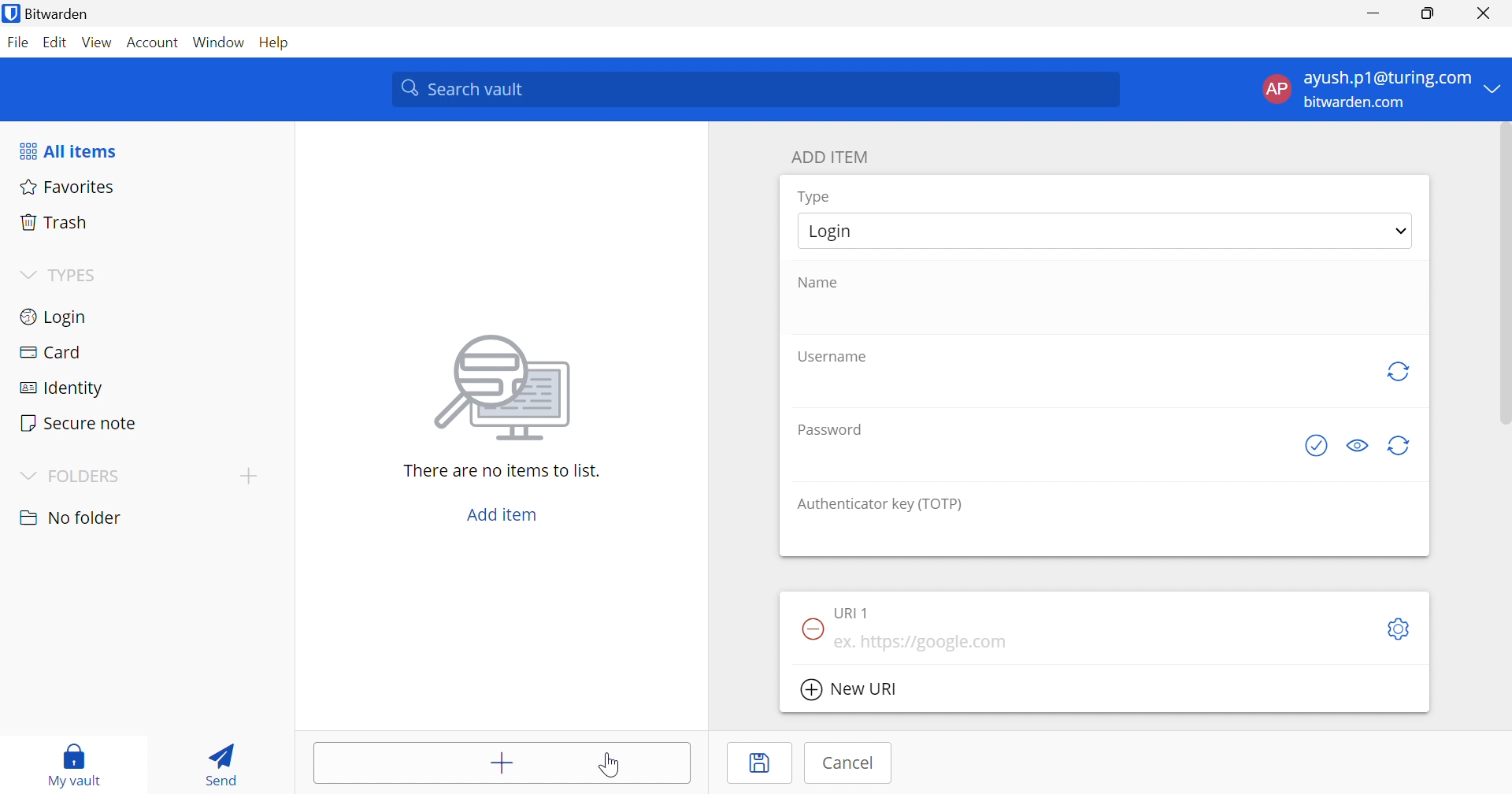 This screenshot has height=794, width=1512. I want to click on Cancel, so click(845, 765).